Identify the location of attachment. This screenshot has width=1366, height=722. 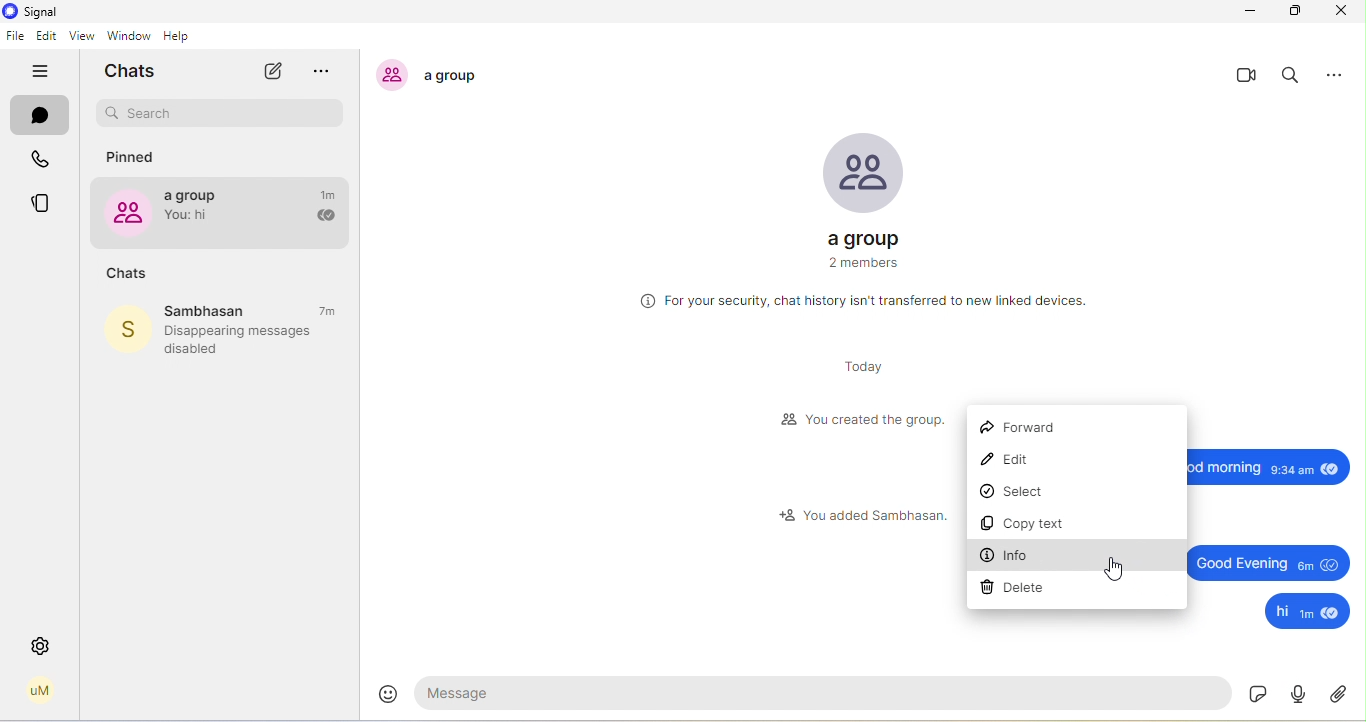
(1340, 693).